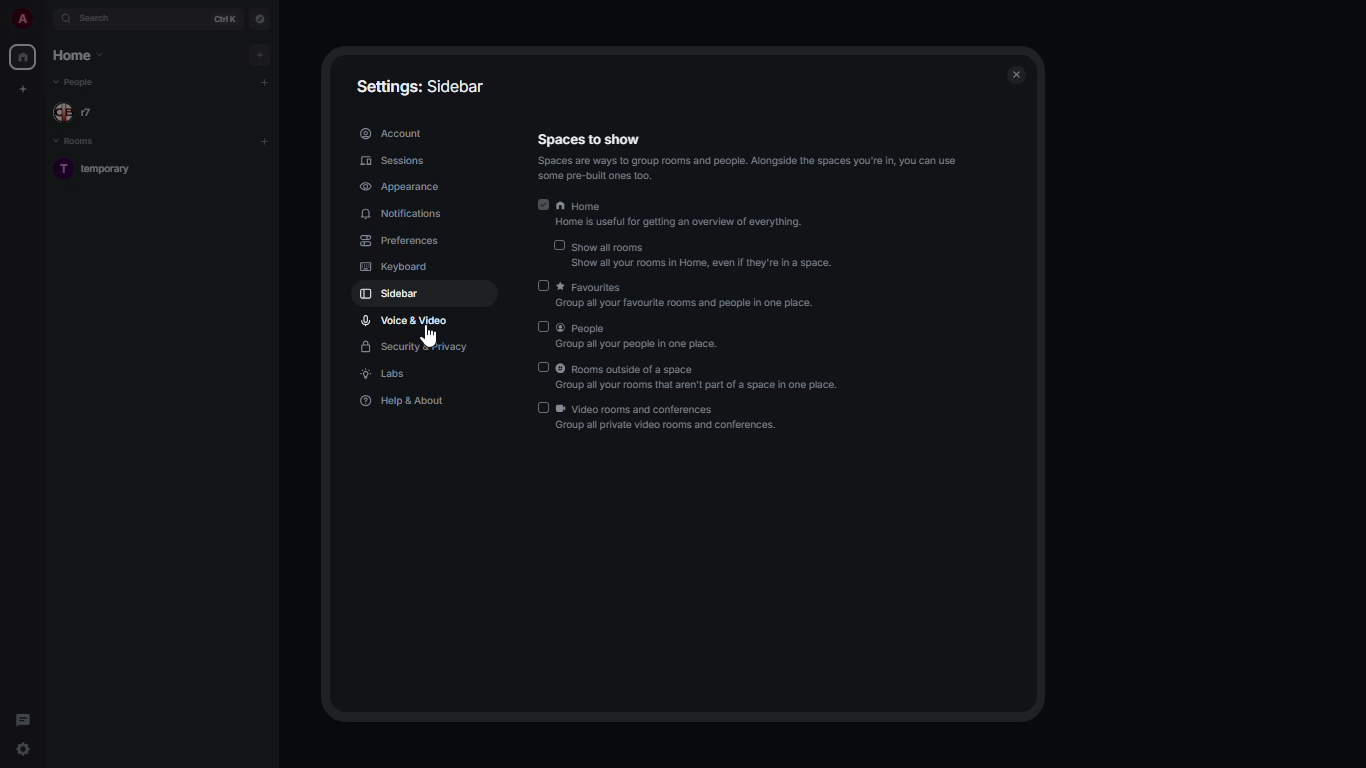  Describe the element at coordinates (403, 320) in the screenshot. I see `voice & video` at that location.